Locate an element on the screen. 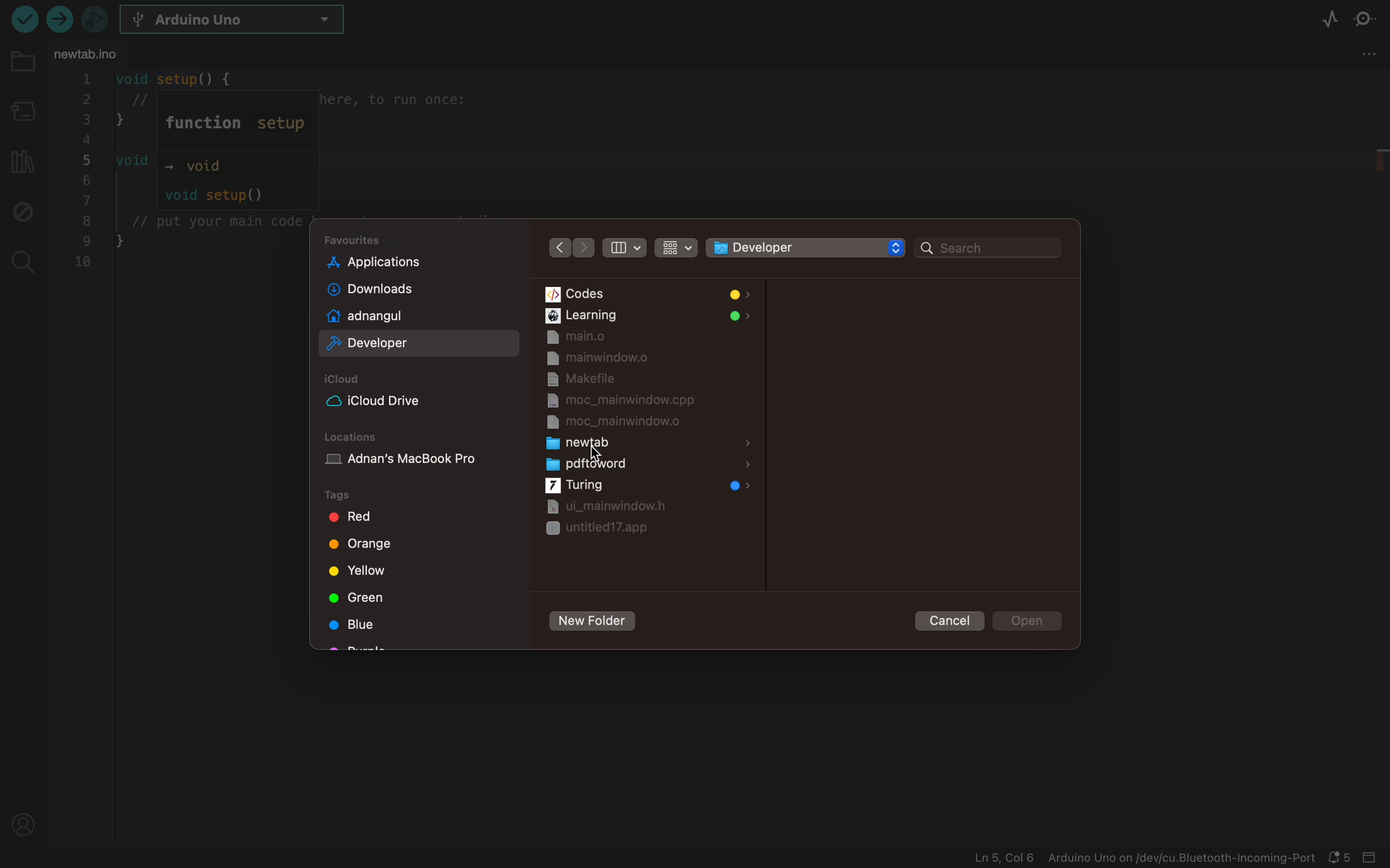 The height and width of the screenshot is (868, 1390). adnan's mackbook pro is located at coordinates (420, 463).